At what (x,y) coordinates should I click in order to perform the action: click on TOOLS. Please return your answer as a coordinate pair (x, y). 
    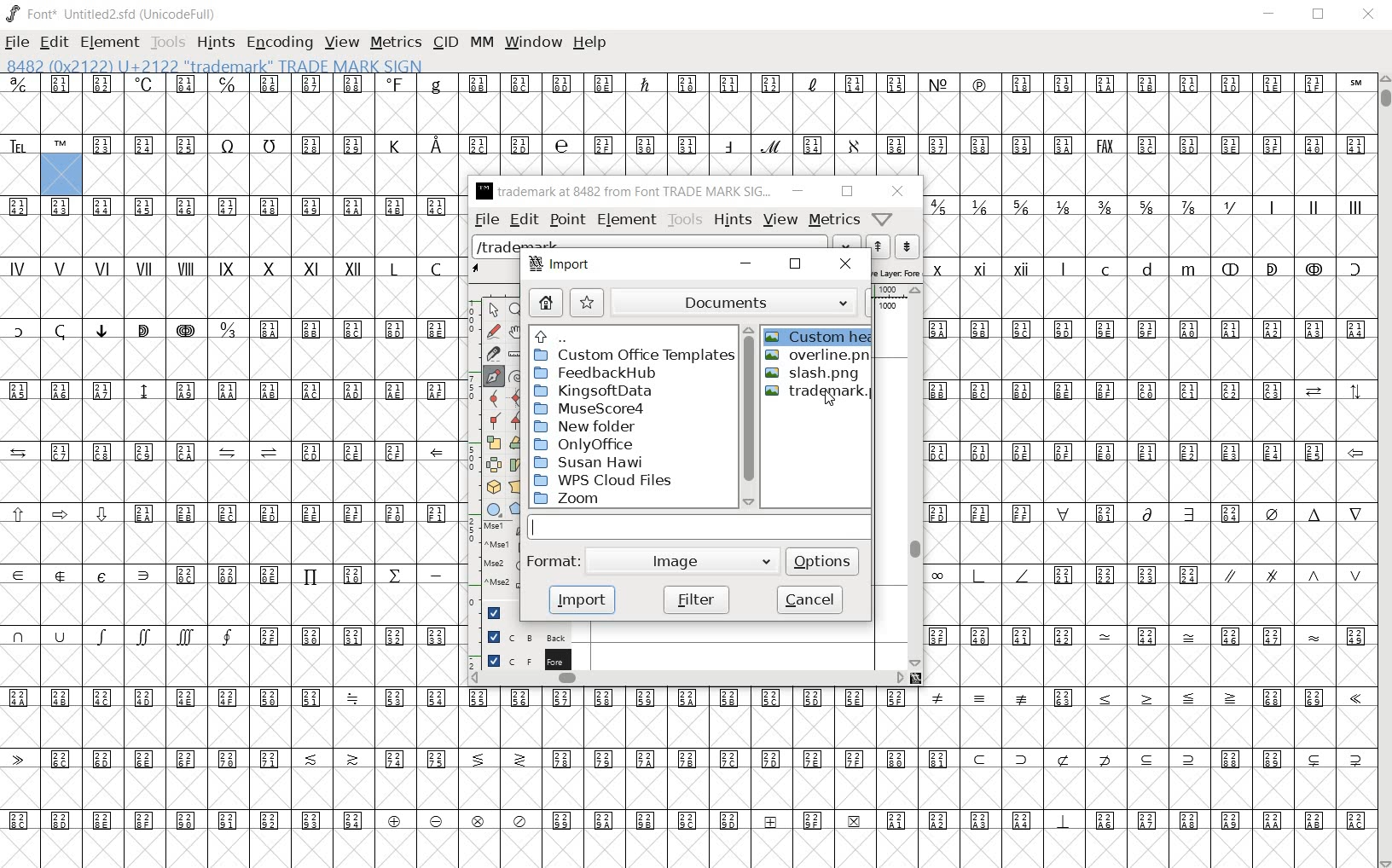
    Looking at the image, I should click on (167, 42).